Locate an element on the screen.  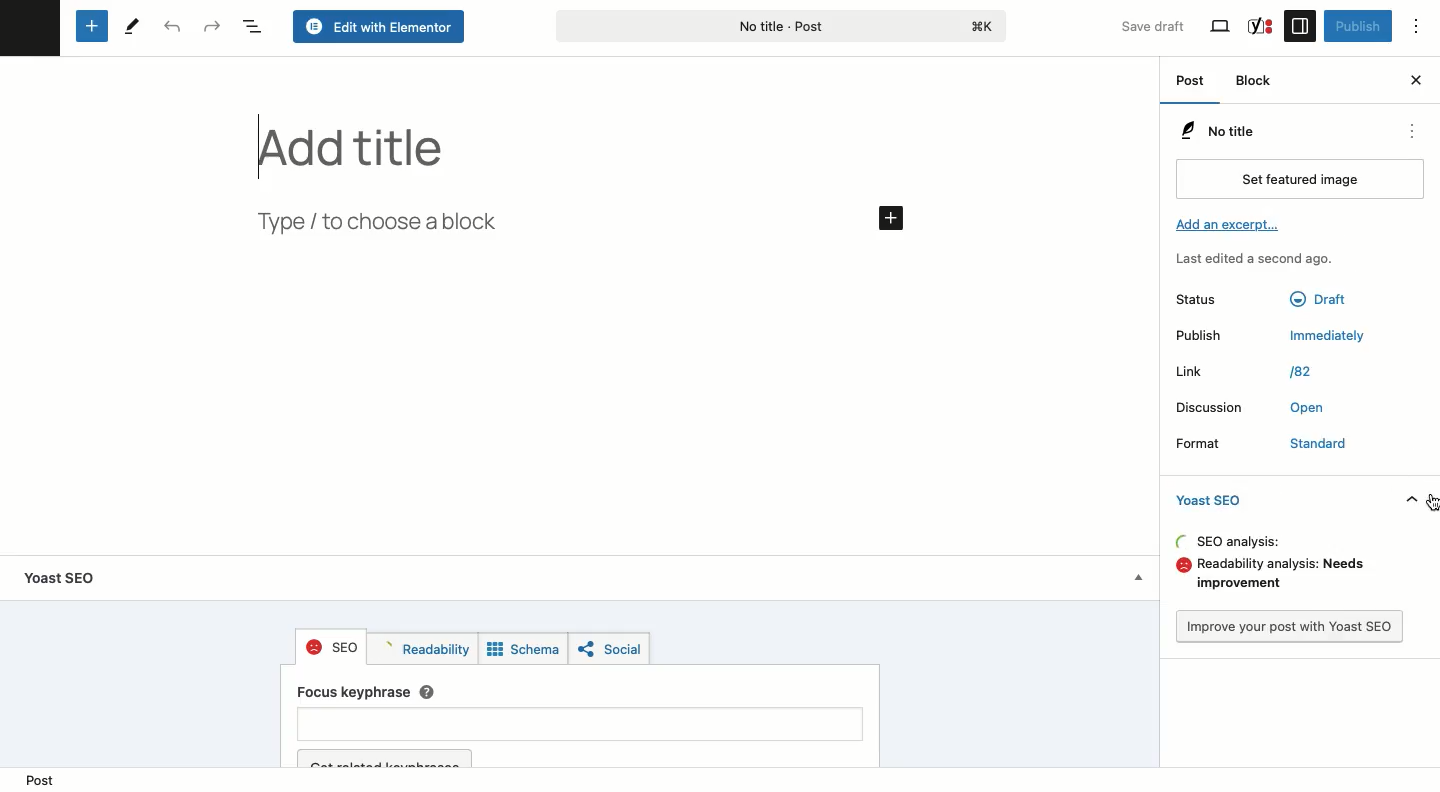
Edit with elementor is located at coordinates (376, 26).